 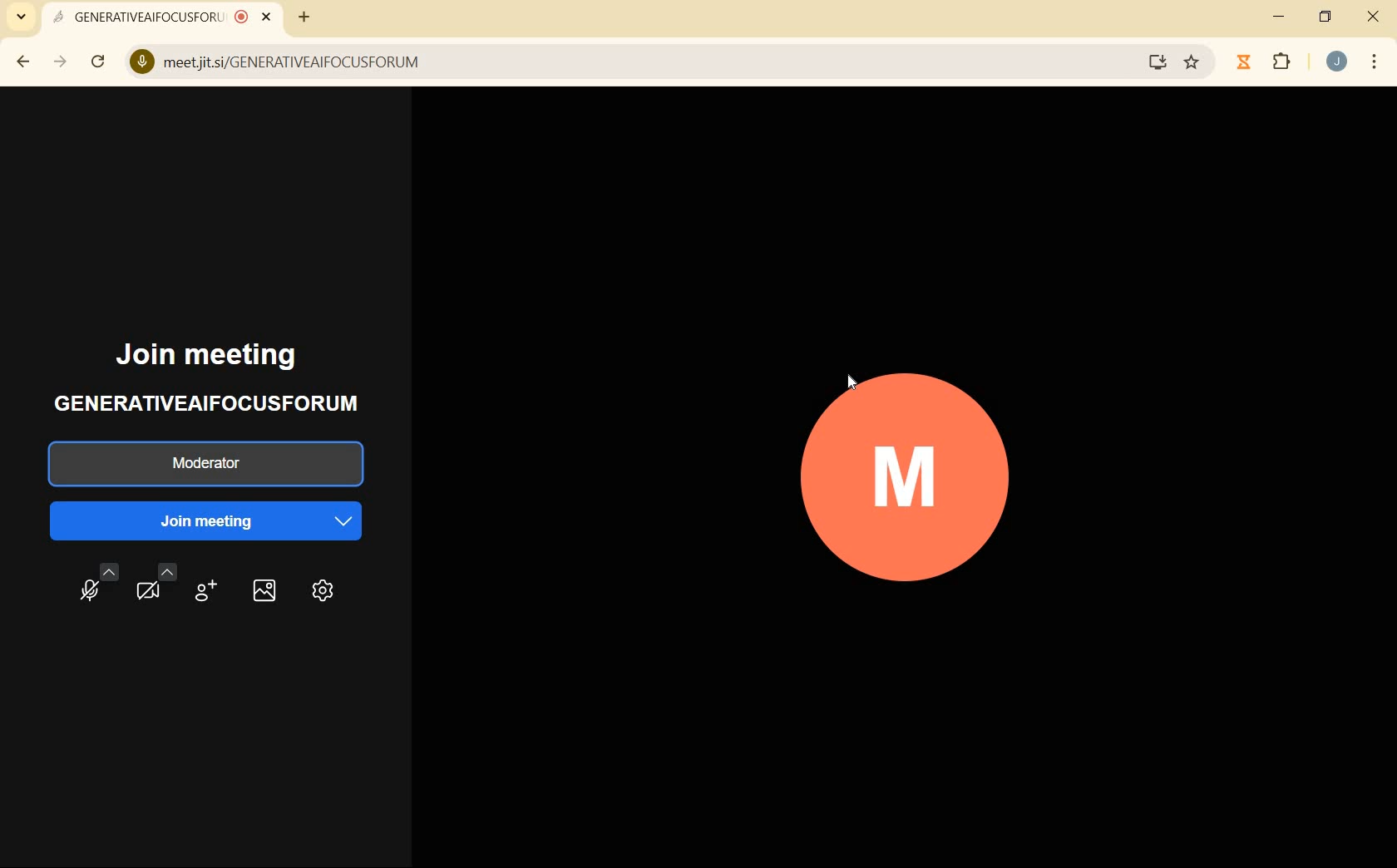 I want to click on Favorite, so click(x=1191, y=65).